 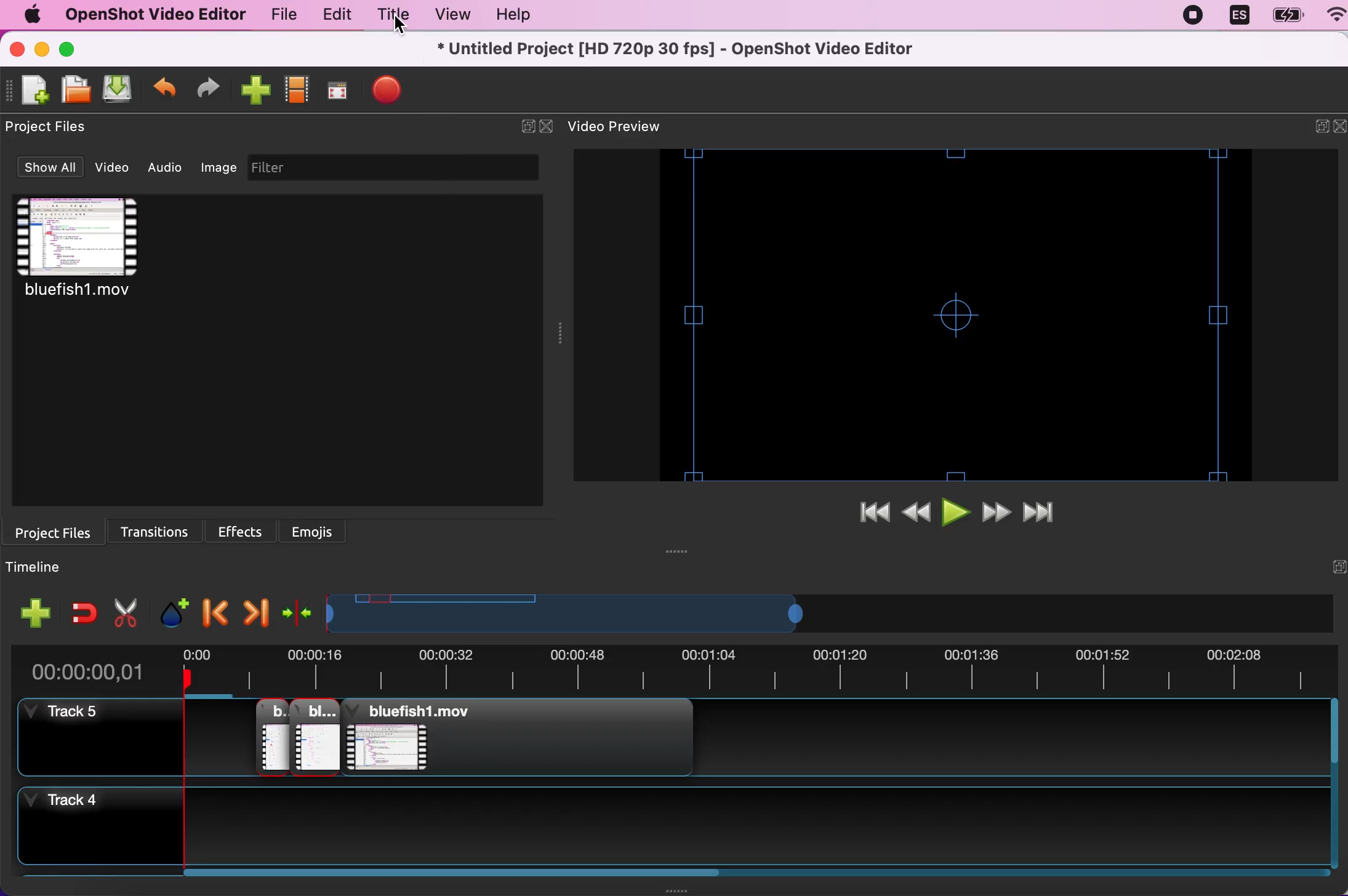 I want to click on track 5, so click(x=762, y=742).